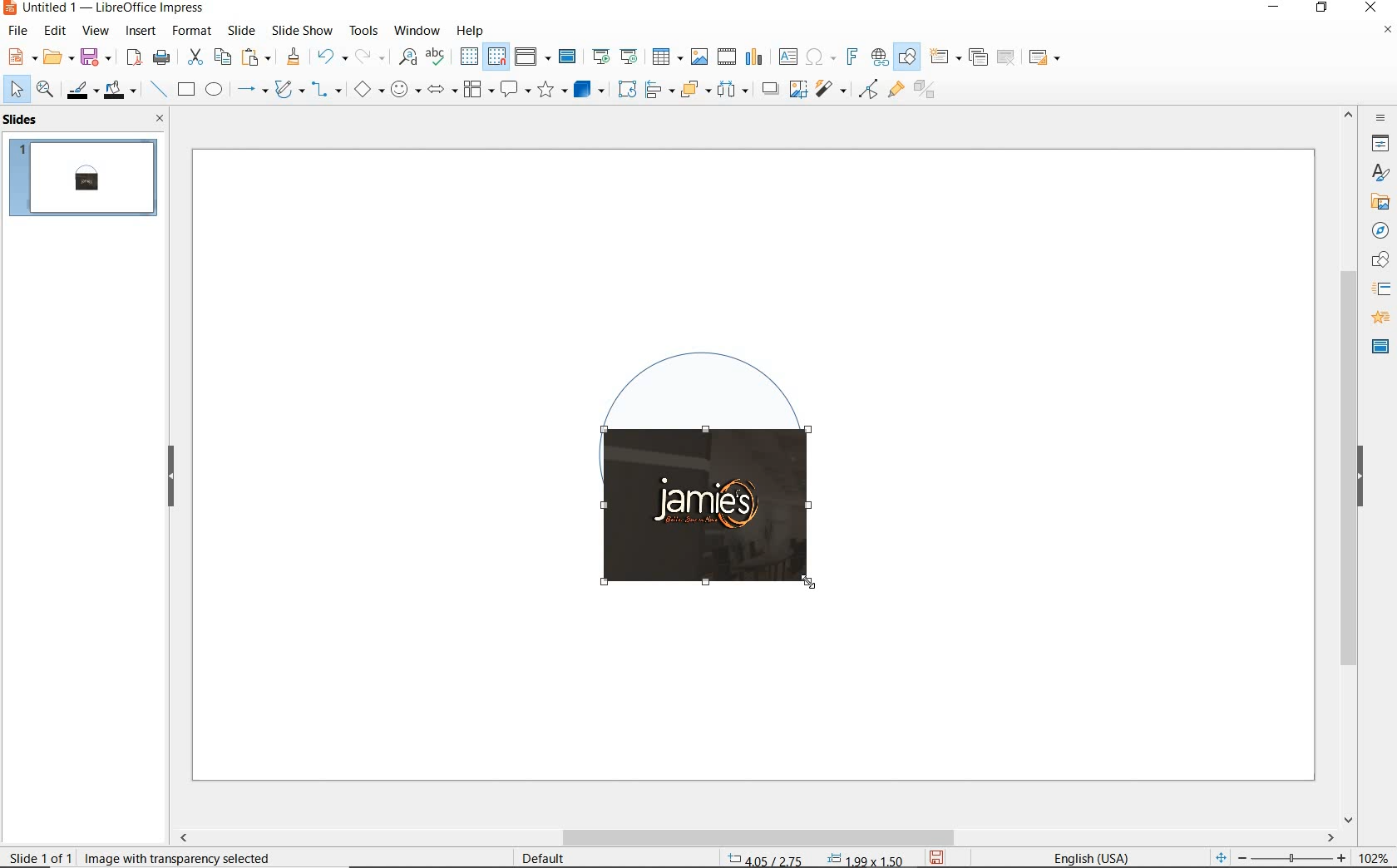 This screenshot has height=868, width=1397. What do you see at coordinates (42, 854) in the screenshot?
I see `slide 1 of 1` at bounding box center [42, 854].